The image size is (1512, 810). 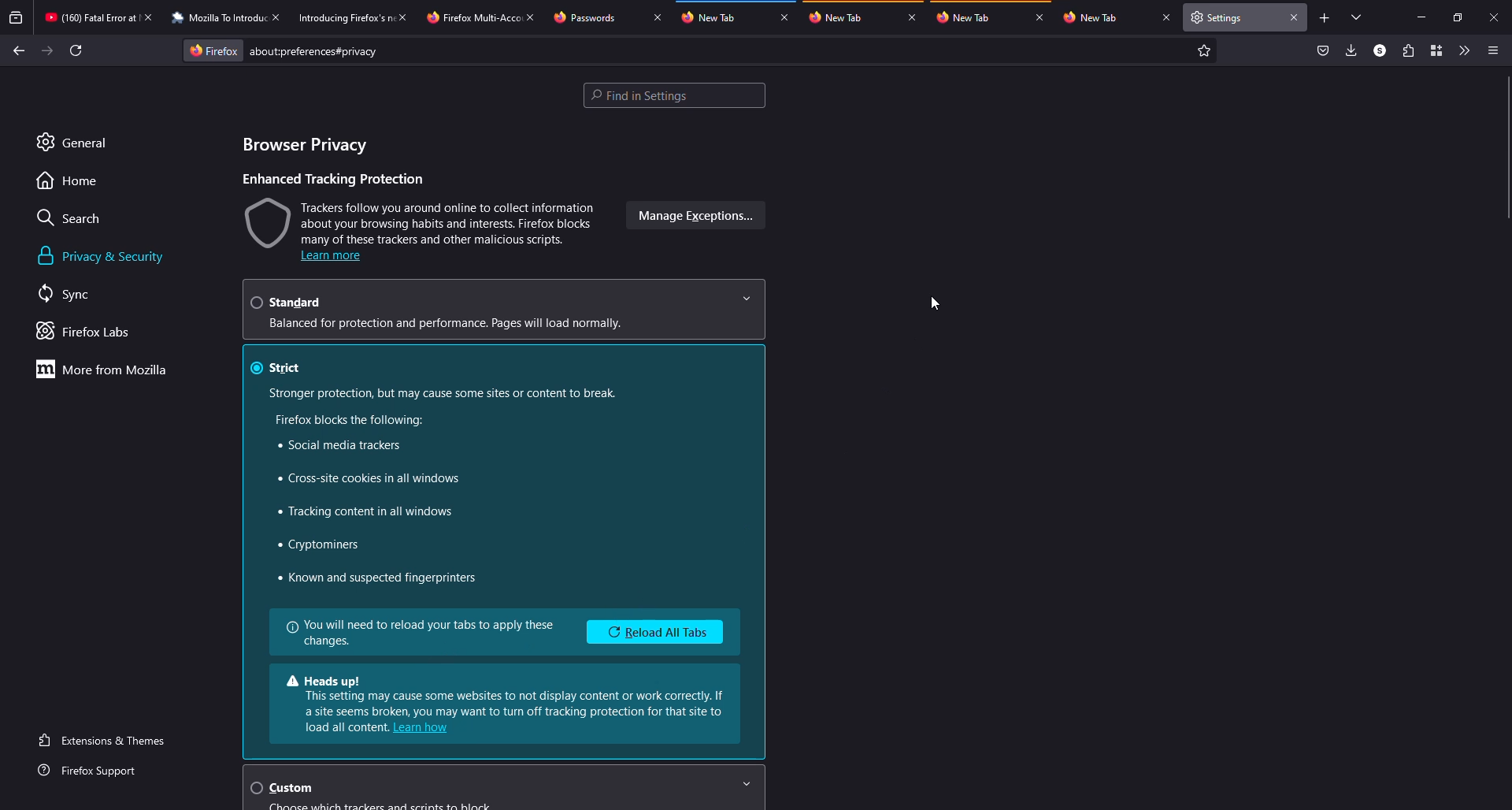 What do you see at coordinates (674, 95) in the screenshot?
I see `find` at bounding box center [674, 95].